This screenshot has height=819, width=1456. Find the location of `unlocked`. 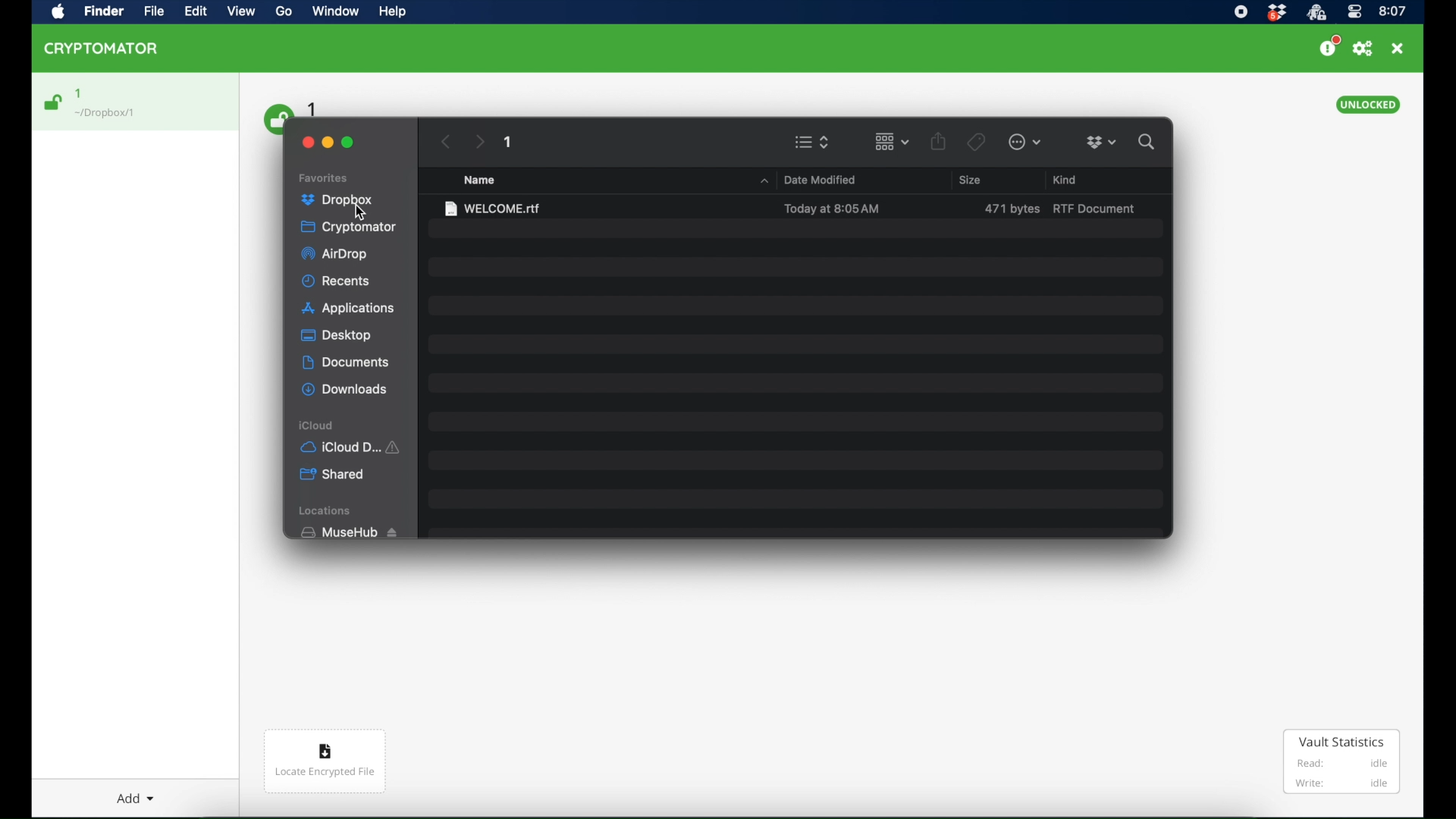

unlocked is located at coordinates (1369, 105).